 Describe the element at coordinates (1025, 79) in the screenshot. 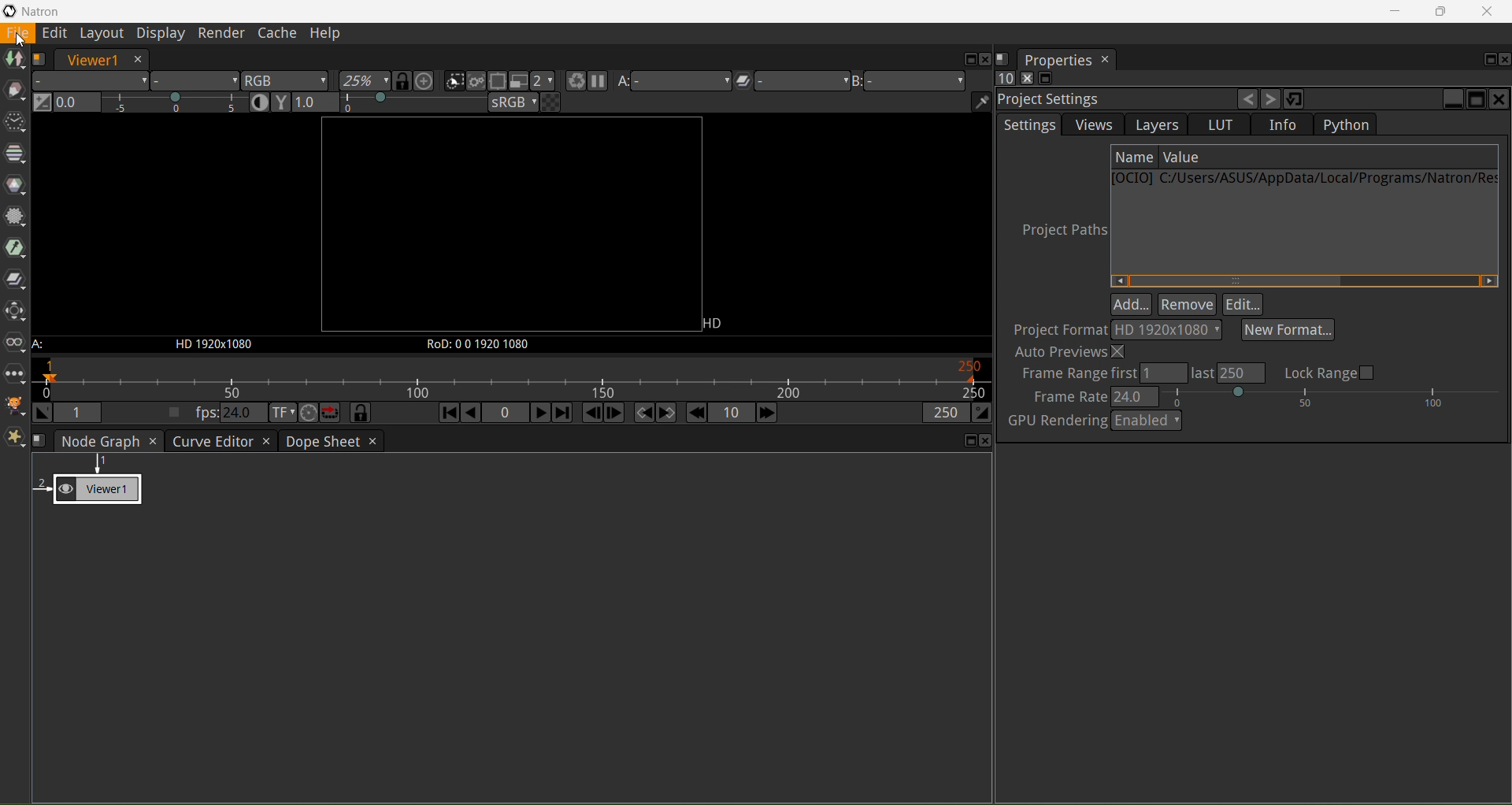

I see `Clears all panels in the properties bin pane` at that location.